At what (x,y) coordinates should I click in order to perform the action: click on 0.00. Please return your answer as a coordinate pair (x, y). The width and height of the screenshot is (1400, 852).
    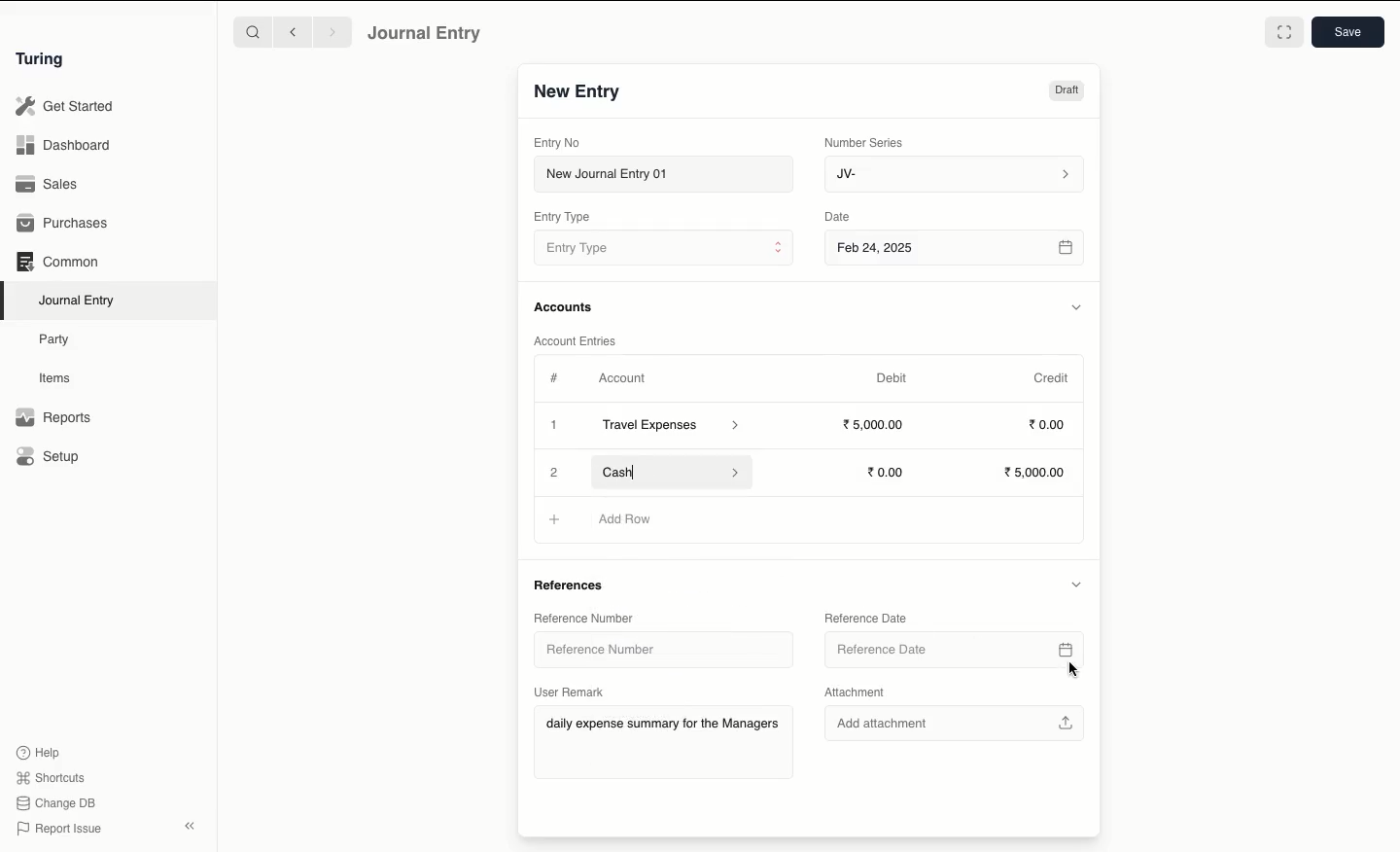
    Looking at the image, I should click on (887, 473).